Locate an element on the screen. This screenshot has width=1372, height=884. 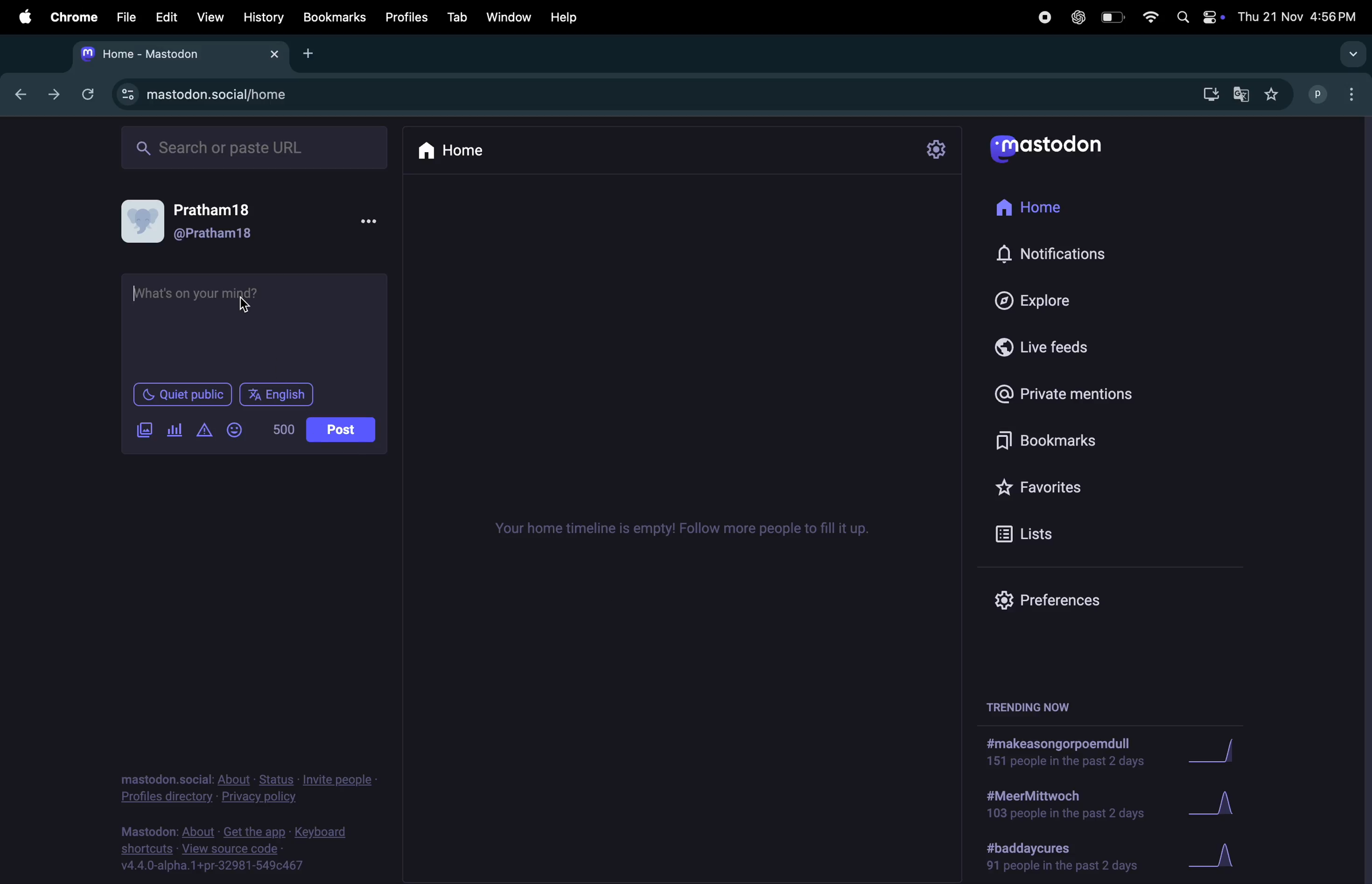
record is located at coordinates (1043, 17).